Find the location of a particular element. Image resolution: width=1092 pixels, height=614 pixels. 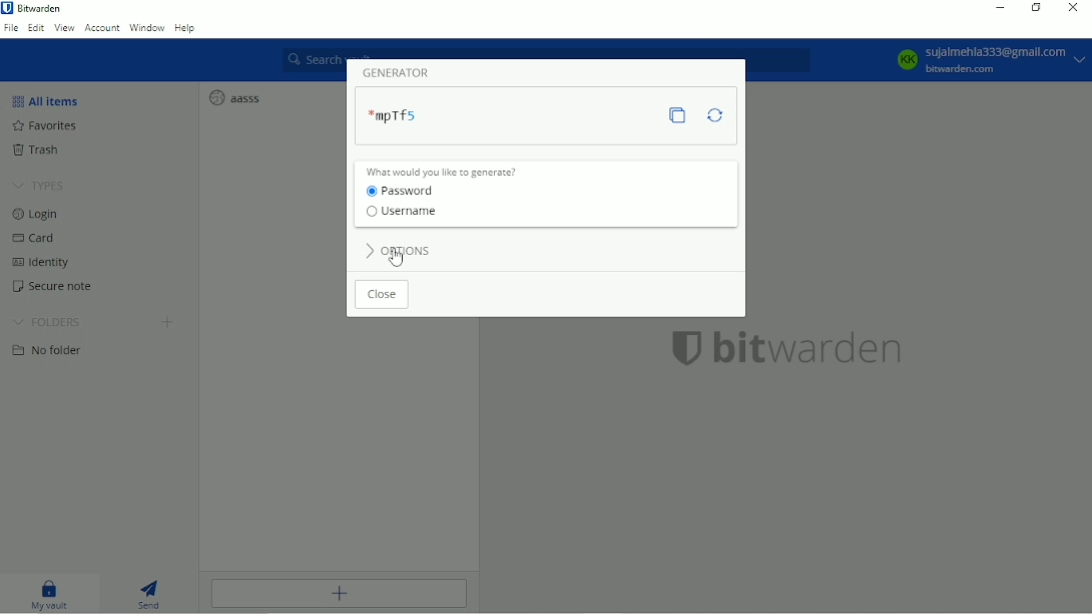

aasss login entry is located at coordinates (238, 97).